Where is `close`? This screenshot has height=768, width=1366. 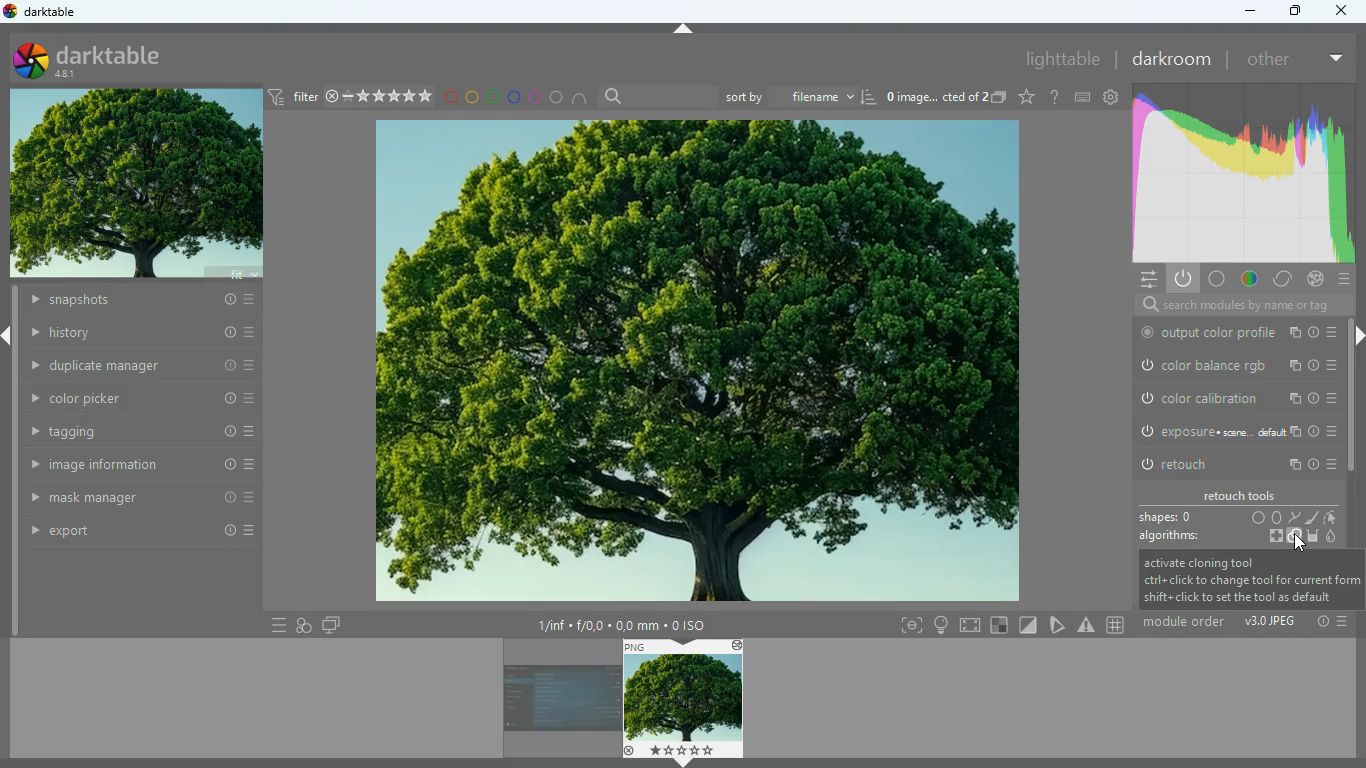
close is located at coordinates (1344, 12).